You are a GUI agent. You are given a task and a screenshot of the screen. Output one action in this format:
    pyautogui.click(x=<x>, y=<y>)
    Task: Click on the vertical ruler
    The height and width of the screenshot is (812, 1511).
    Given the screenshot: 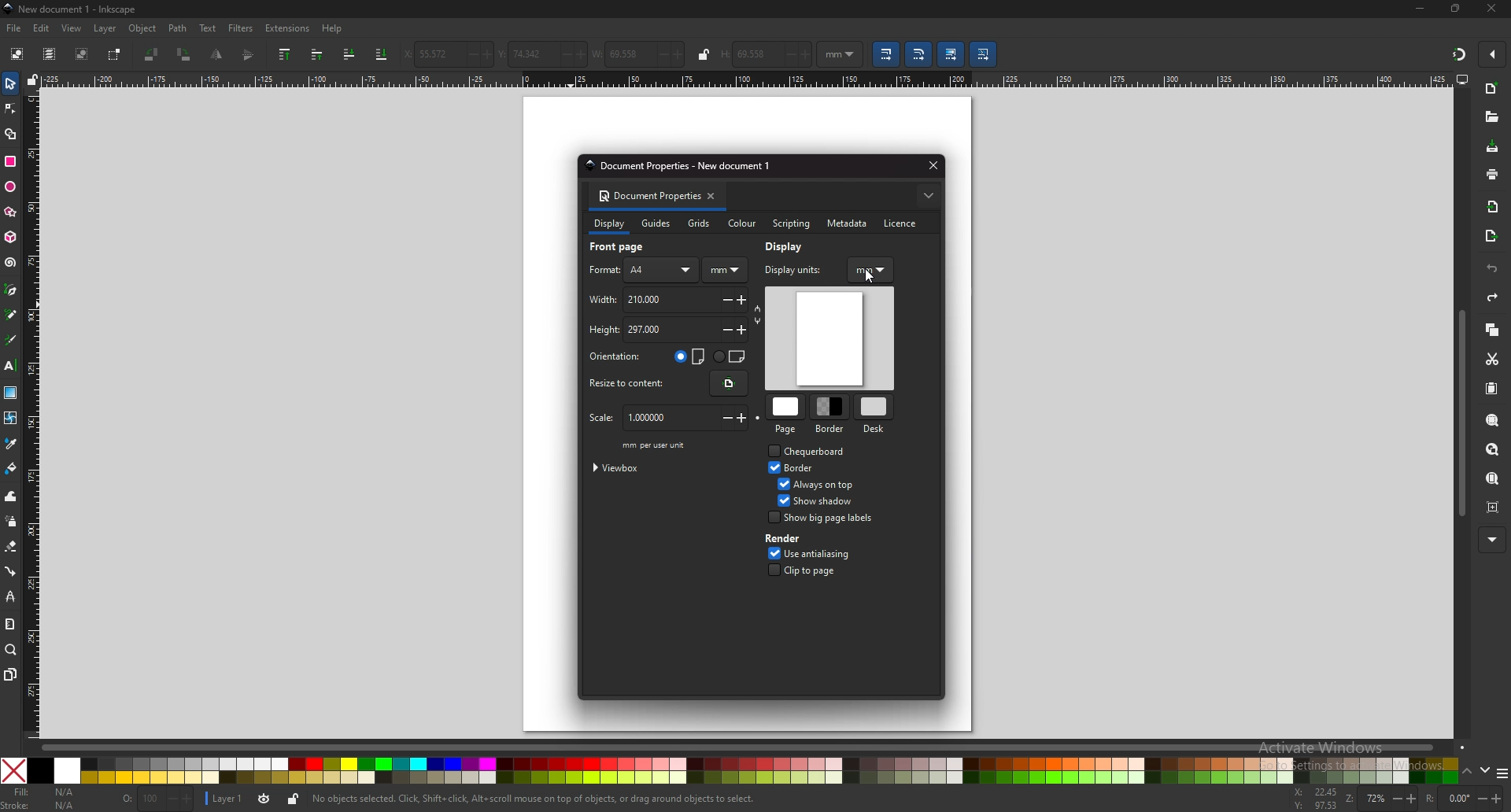 What is the action you would take?
    pyautogui.click(x=31, y=412)
    